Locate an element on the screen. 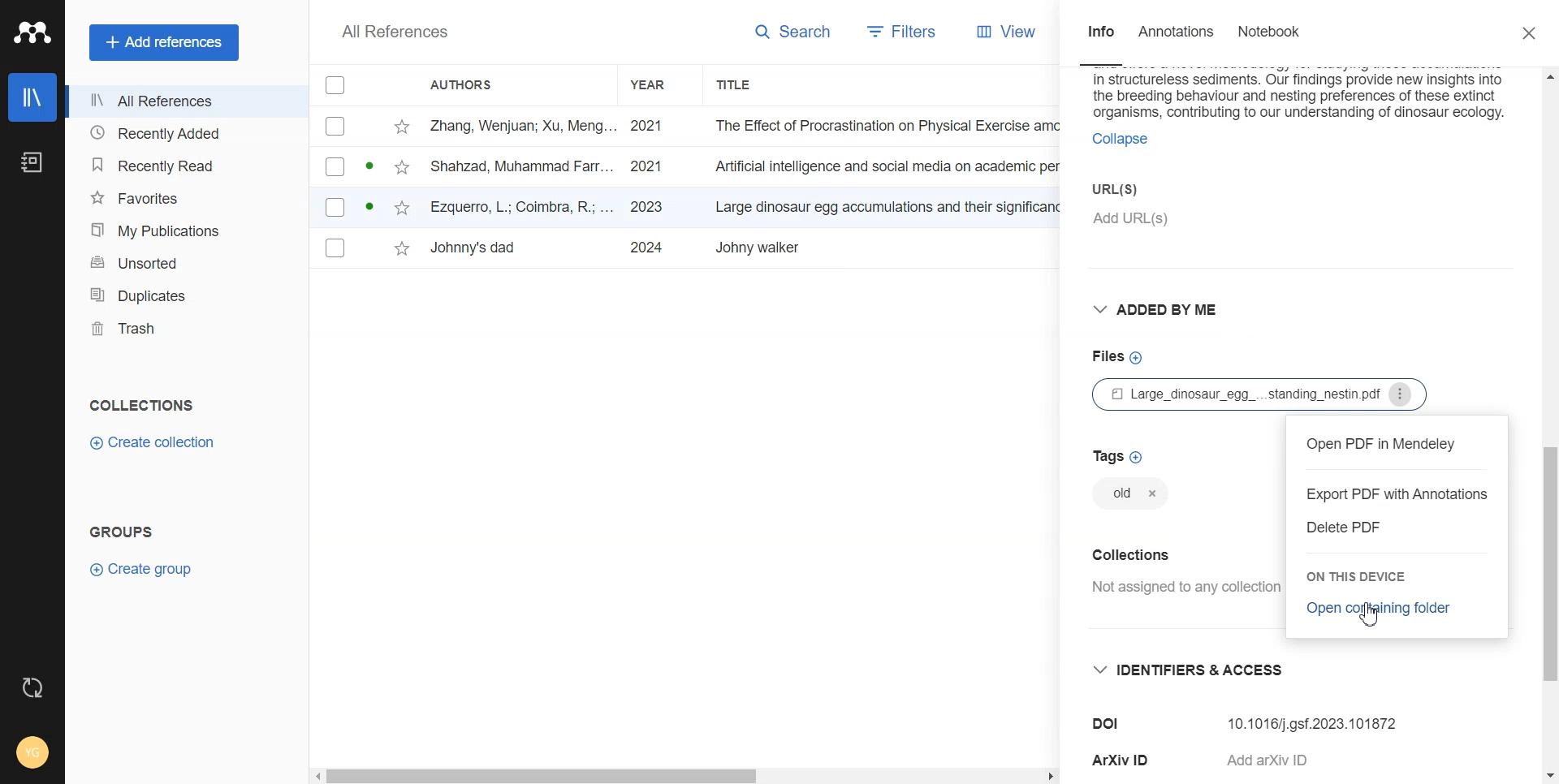  ArXiv is located at coordinates (1123, 760).